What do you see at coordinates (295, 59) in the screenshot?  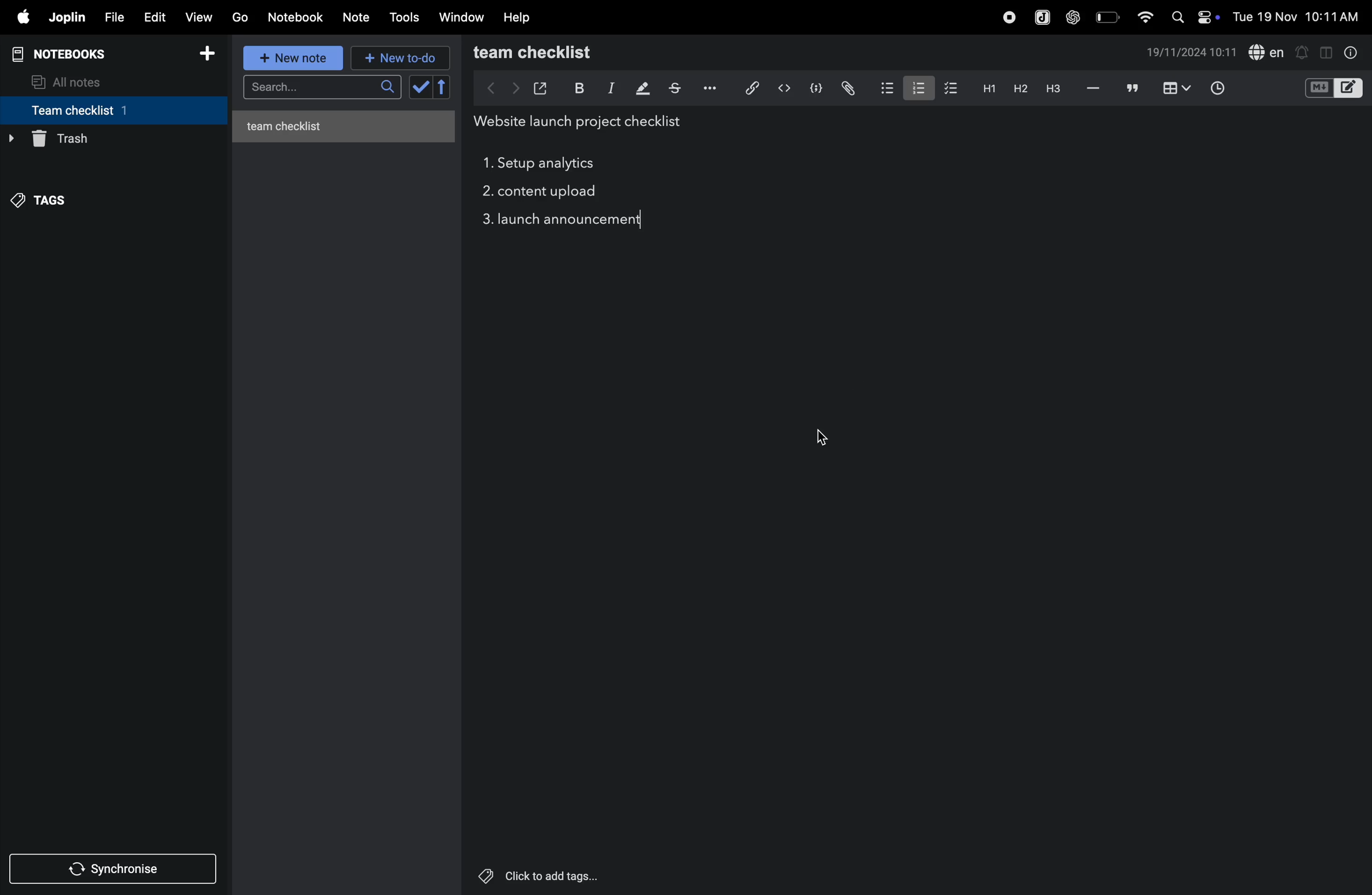 I see `new note` at bounding box center [295, 59].